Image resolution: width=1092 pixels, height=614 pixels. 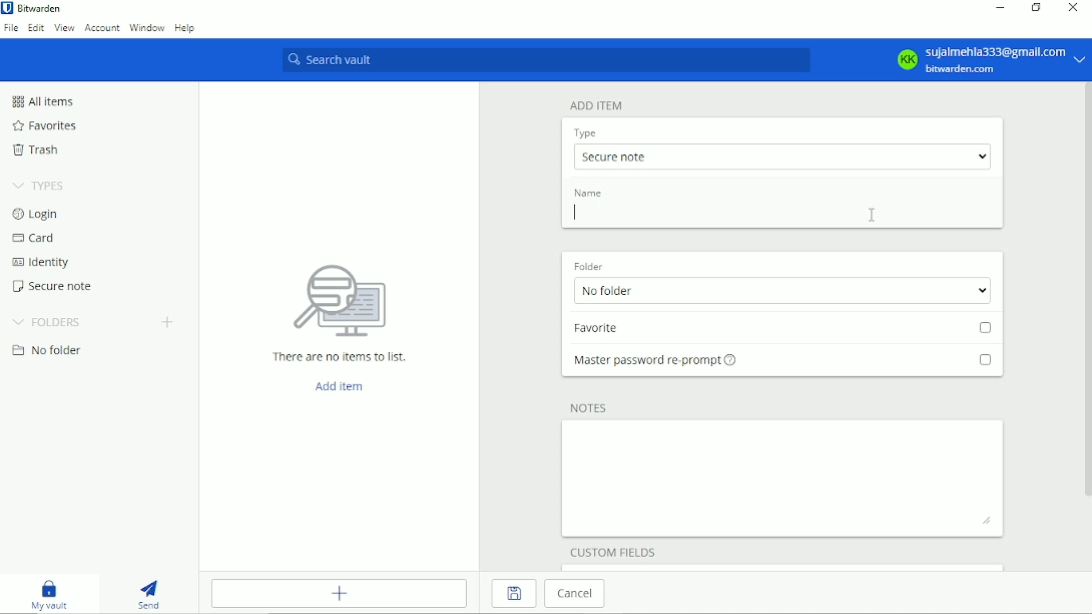 What do you see at coordinates (37, 213) in the screenshot?
I see `Login` at bounding box center [37, 213].